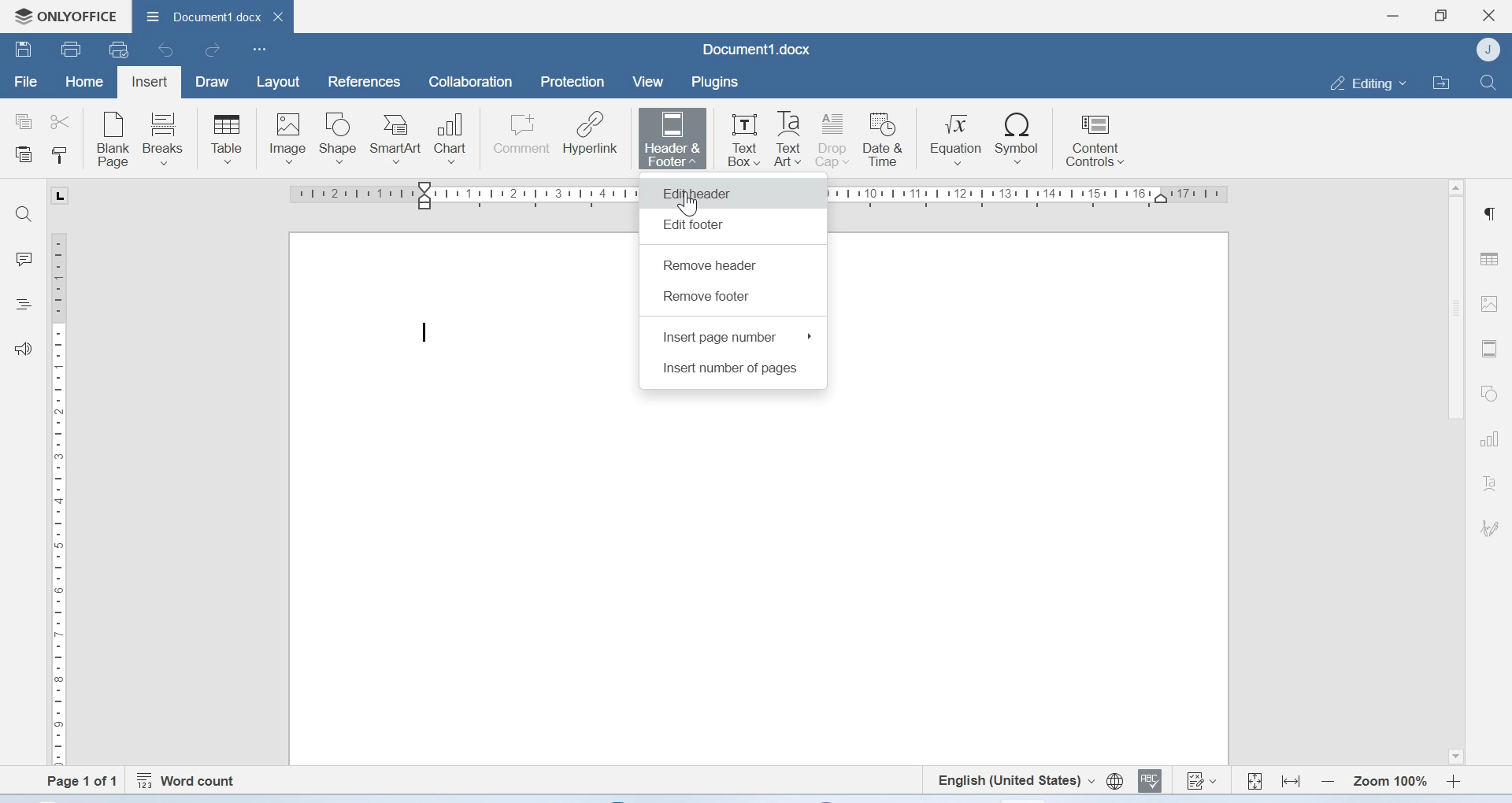 The width and height of the screenshot is (1512, 803). Describe the element at coordinates (1152, 782) in the screenshot. I see `Spell checking` at that location.